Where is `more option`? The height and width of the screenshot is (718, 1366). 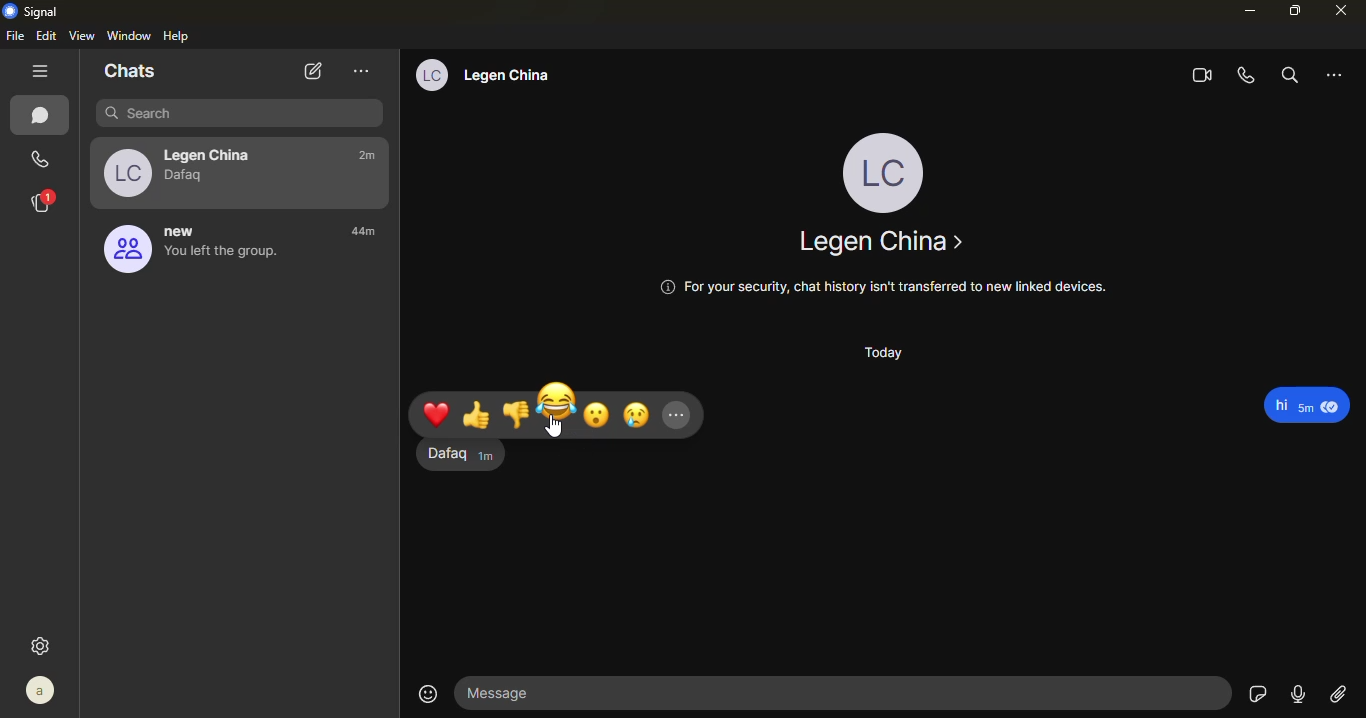 more option is located at coordinates (362, 70).